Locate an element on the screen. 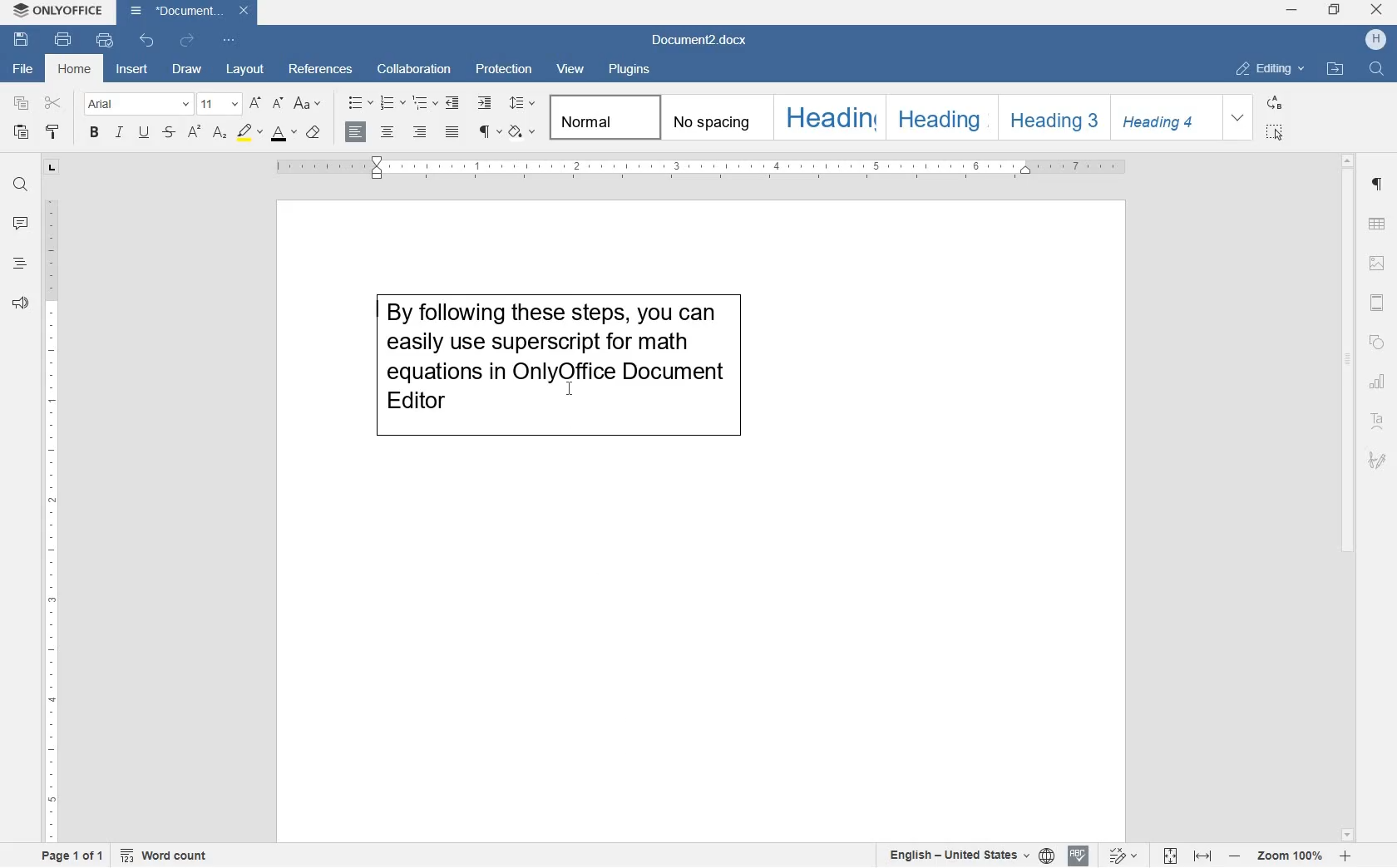  draw is located at coordinates (187, 72).